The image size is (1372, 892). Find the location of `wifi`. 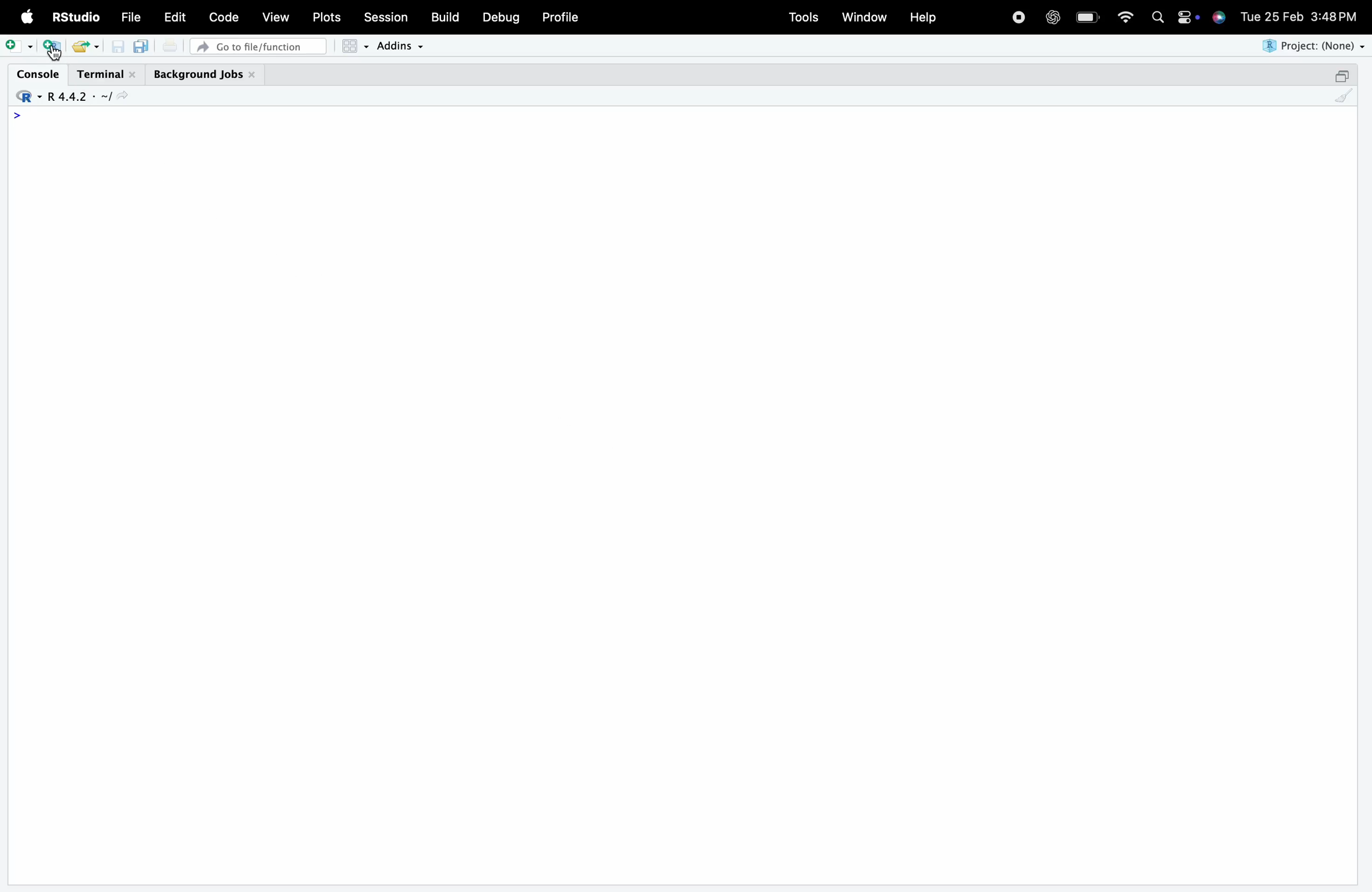

wifi is located at coordinates (1125, 16).